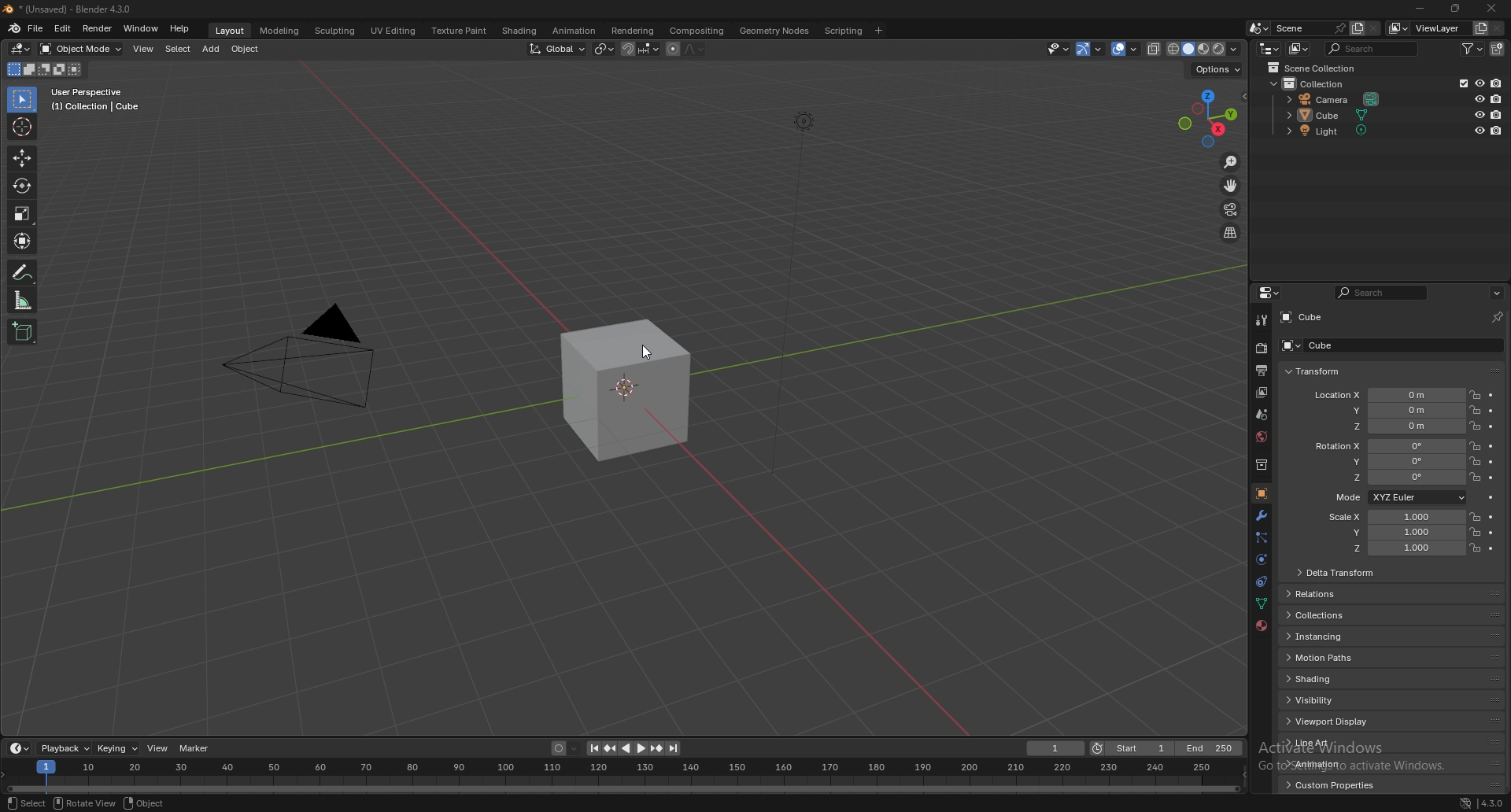 This screenshot has width=1511, height=812. What do you see at coordinates (1258, 28) in the screenshot?
I see `browse scene` at bounding box center [1258, 28].